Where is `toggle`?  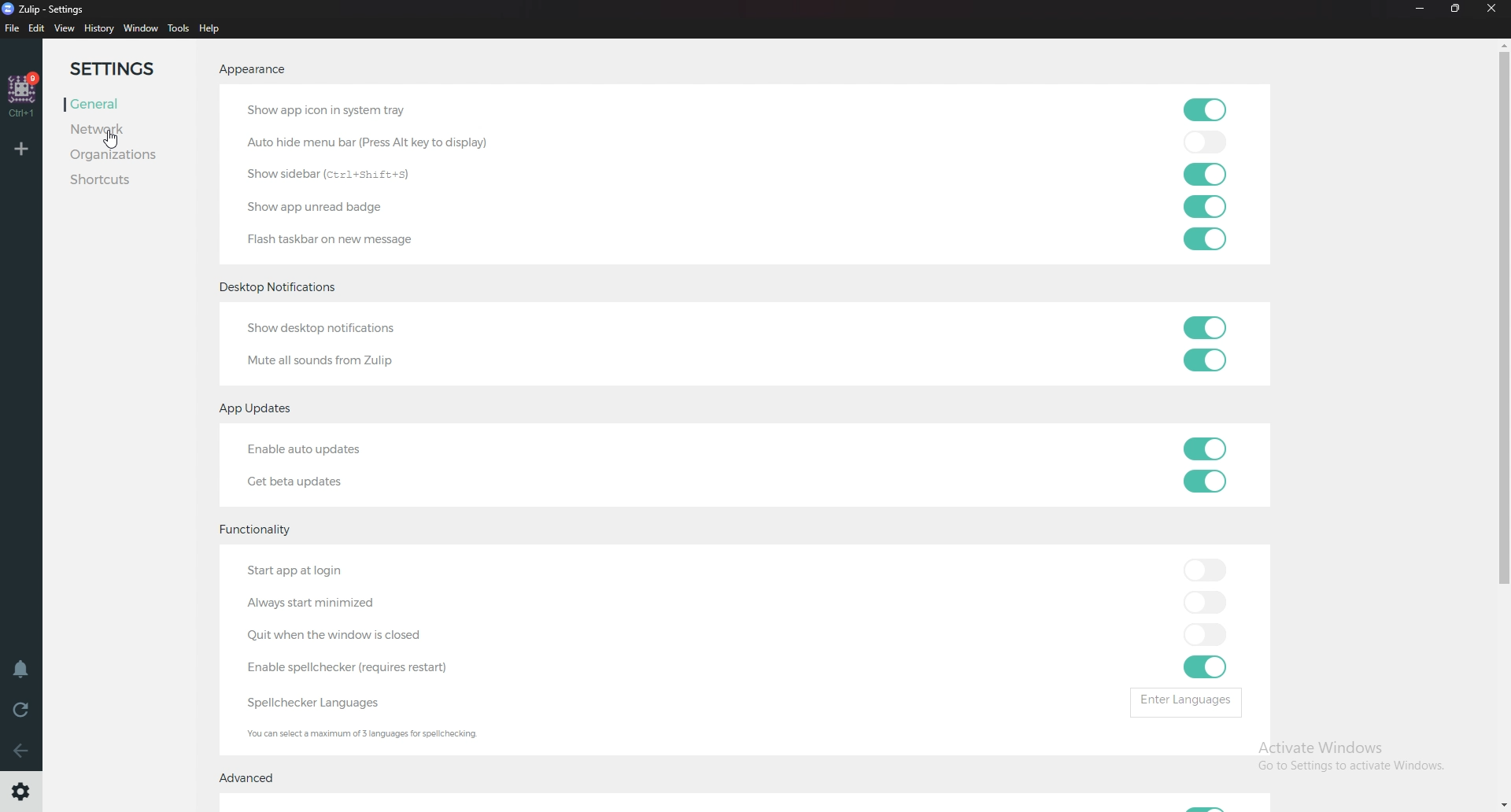 toggle is located at coordinates (1206, 603).